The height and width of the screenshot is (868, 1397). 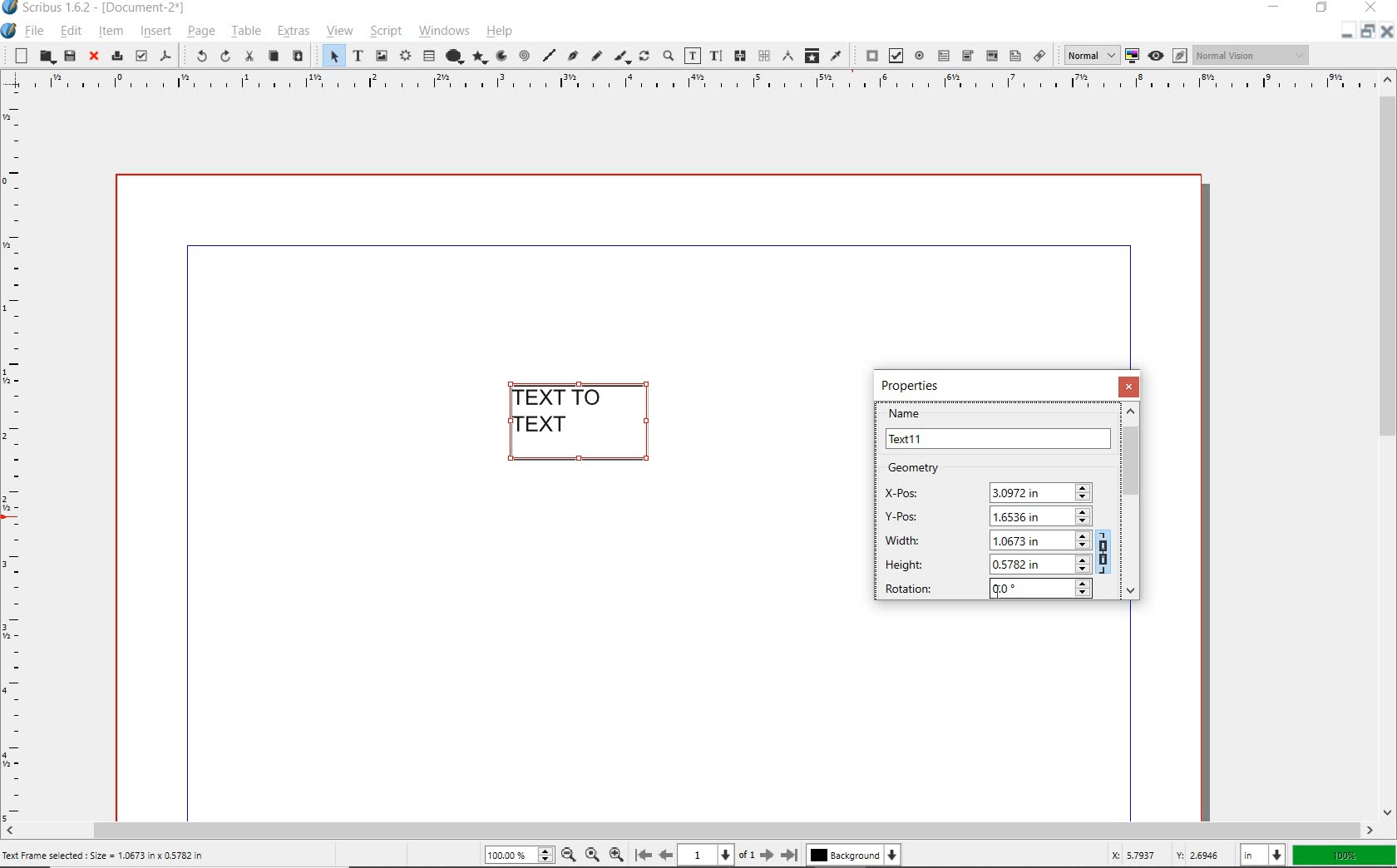 What do you see at coordinates (986, 539) in the screenshot?
I see `WIDTH` at bounding box center [986, 539].